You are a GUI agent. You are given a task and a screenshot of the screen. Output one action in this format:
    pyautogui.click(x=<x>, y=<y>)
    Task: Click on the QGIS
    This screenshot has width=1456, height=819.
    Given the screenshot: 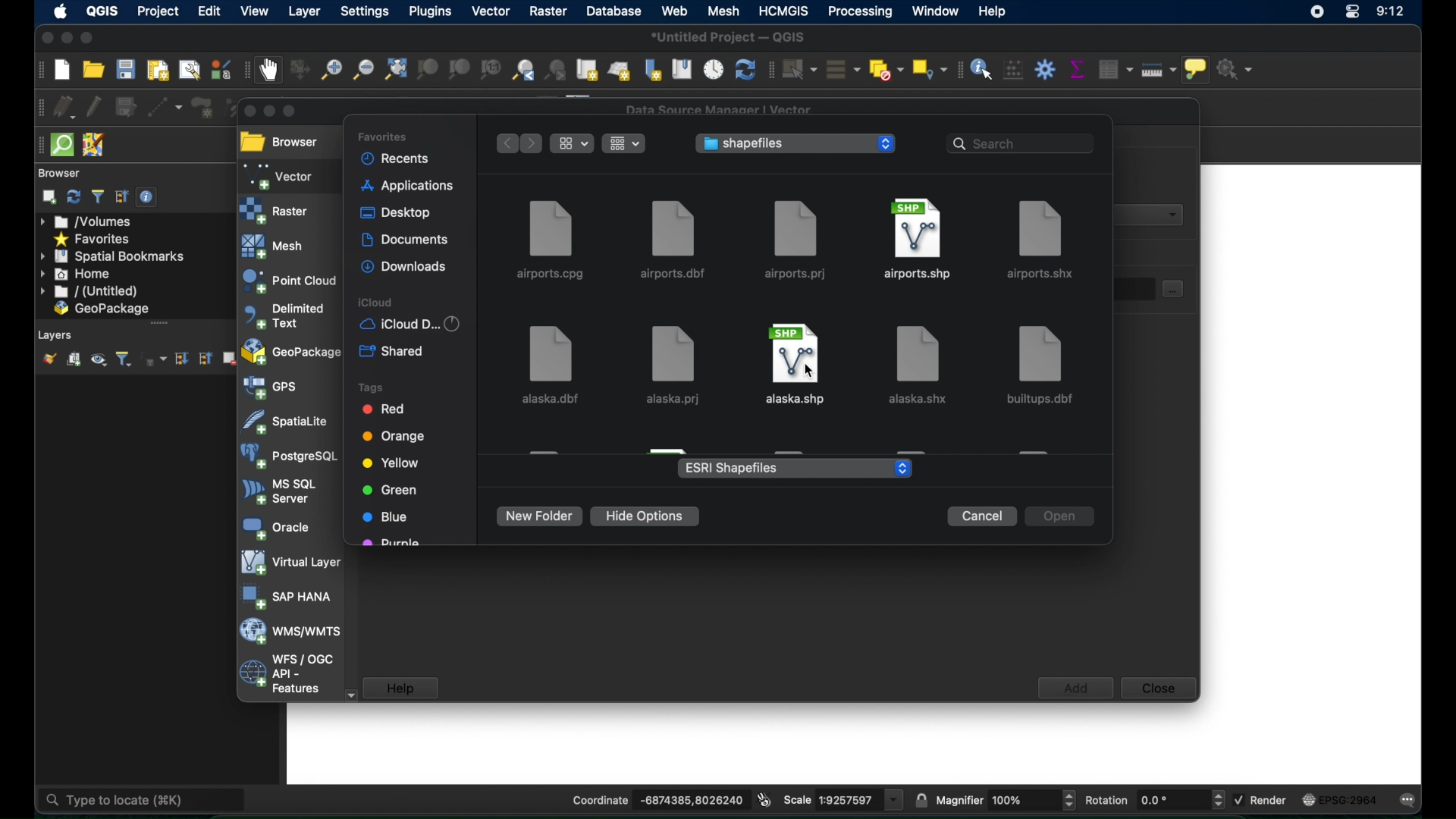 What is the action you would take?
    pyautogui.click(x=103, y=11)
    